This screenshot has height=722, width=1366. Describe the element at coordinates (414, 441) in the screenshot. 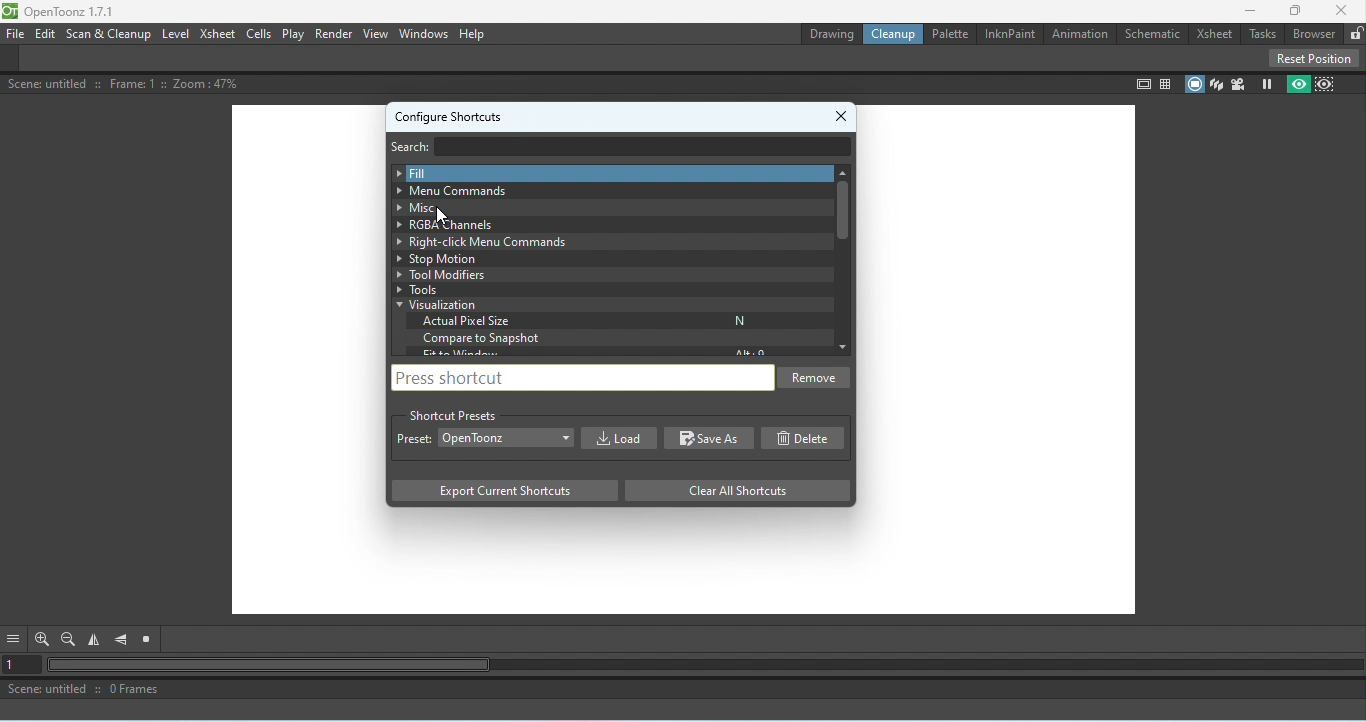

I see `Preset` at that location.